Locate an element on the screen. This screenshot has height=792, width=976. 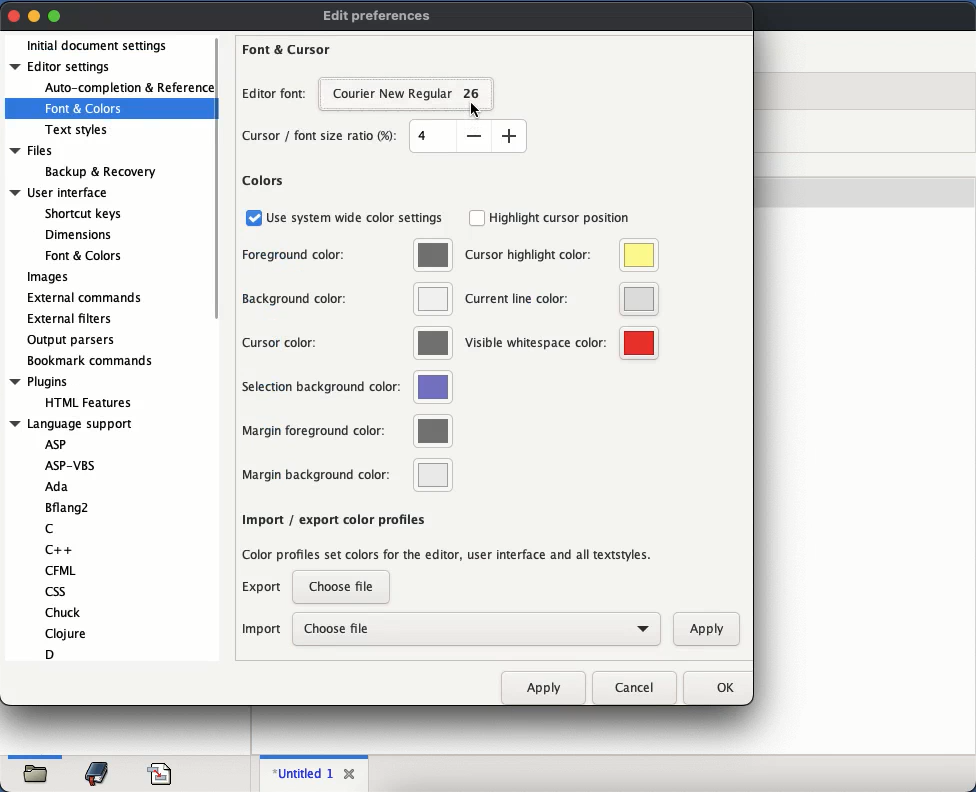
cursor color is located at coordinates (323, 343).